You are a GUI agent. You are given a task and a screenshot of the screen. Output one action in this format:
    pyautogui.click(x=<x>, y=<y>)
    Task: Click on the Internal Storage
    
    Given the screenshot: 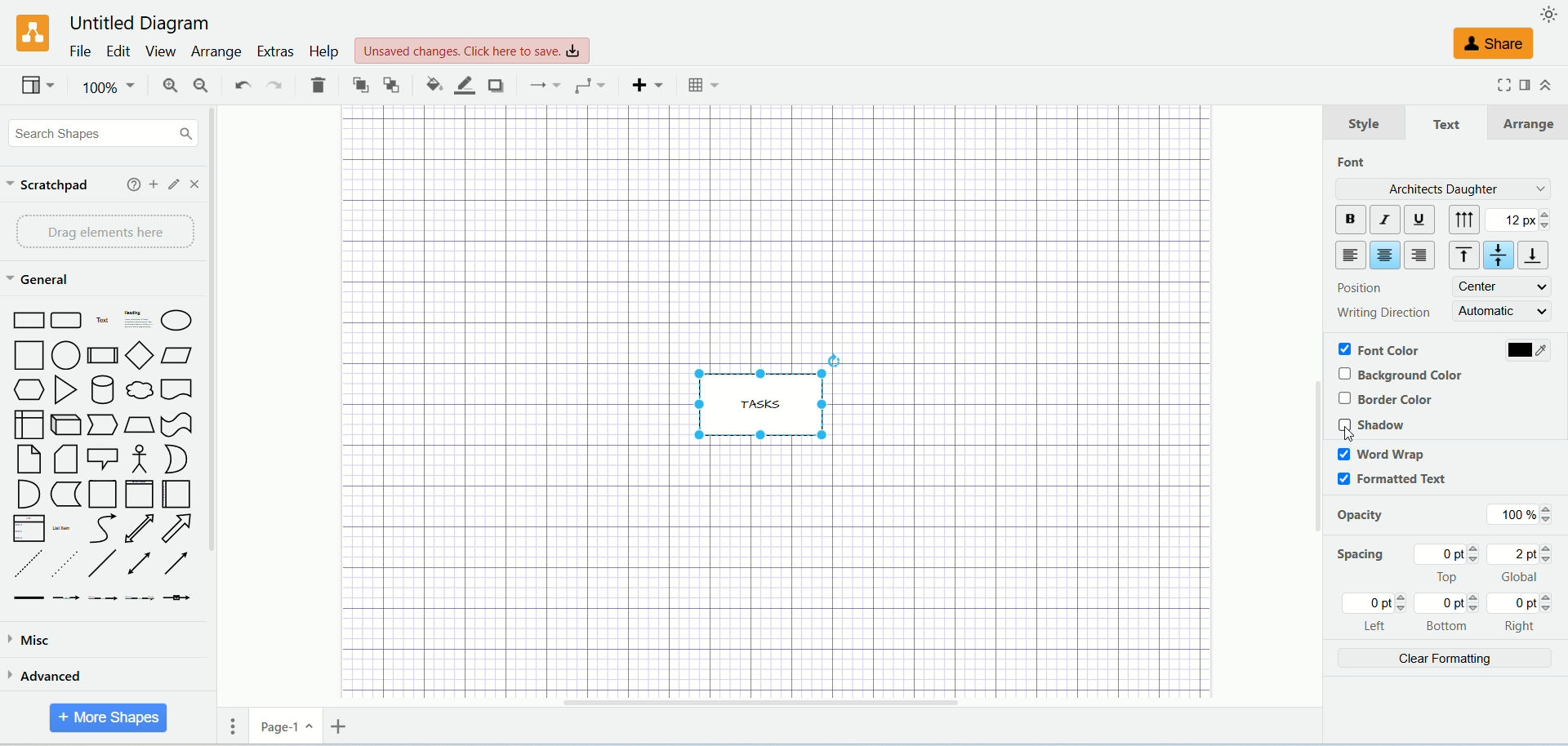 What is the action you would take?
    pyautogui.click(x=28, y=424)
    